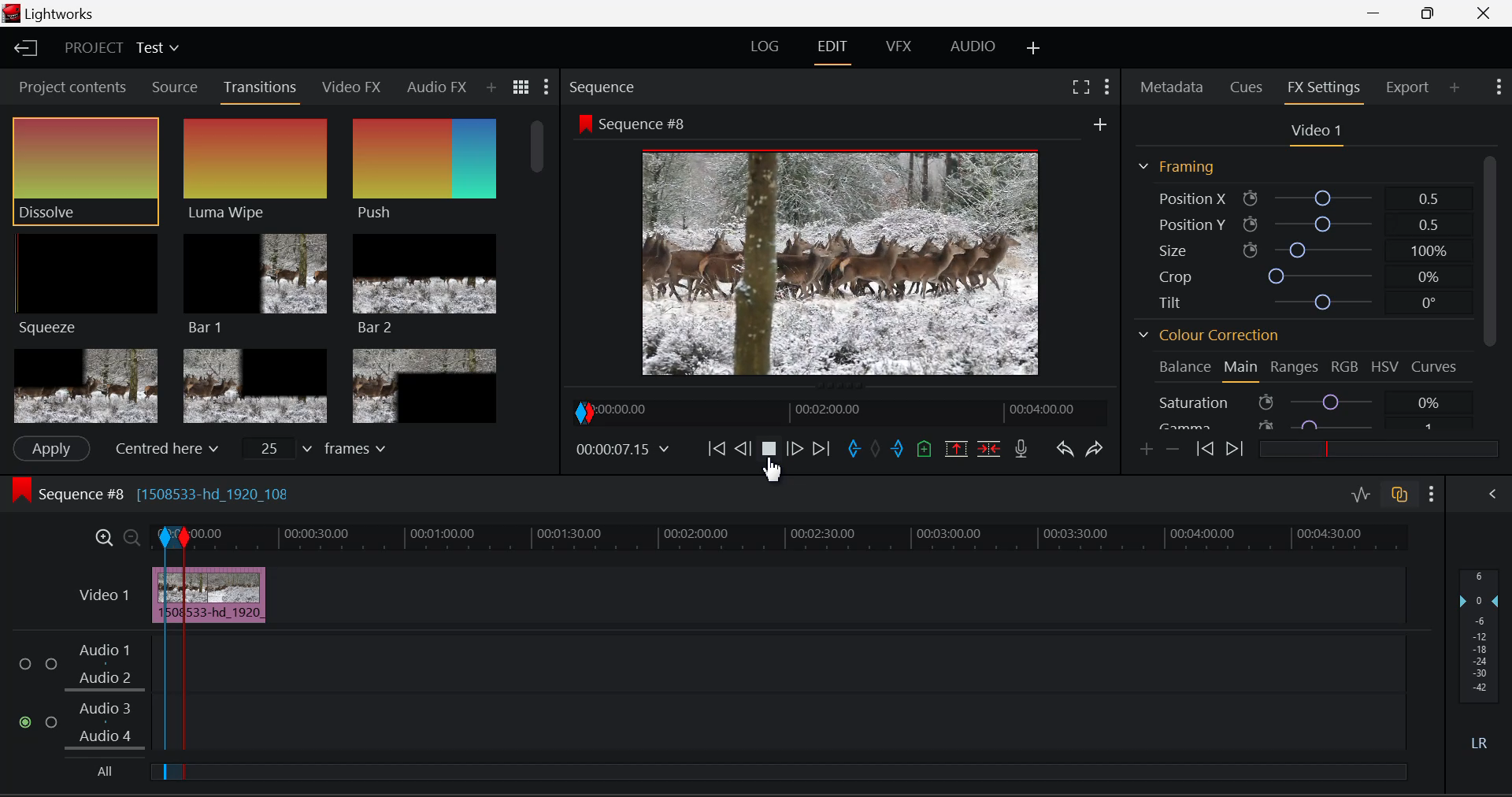 Image resolution: width=1512 pixels, height=797 pixels. Describe the element at coordinates (1295, 273) in the screenshot. I see `Crop` at that location.